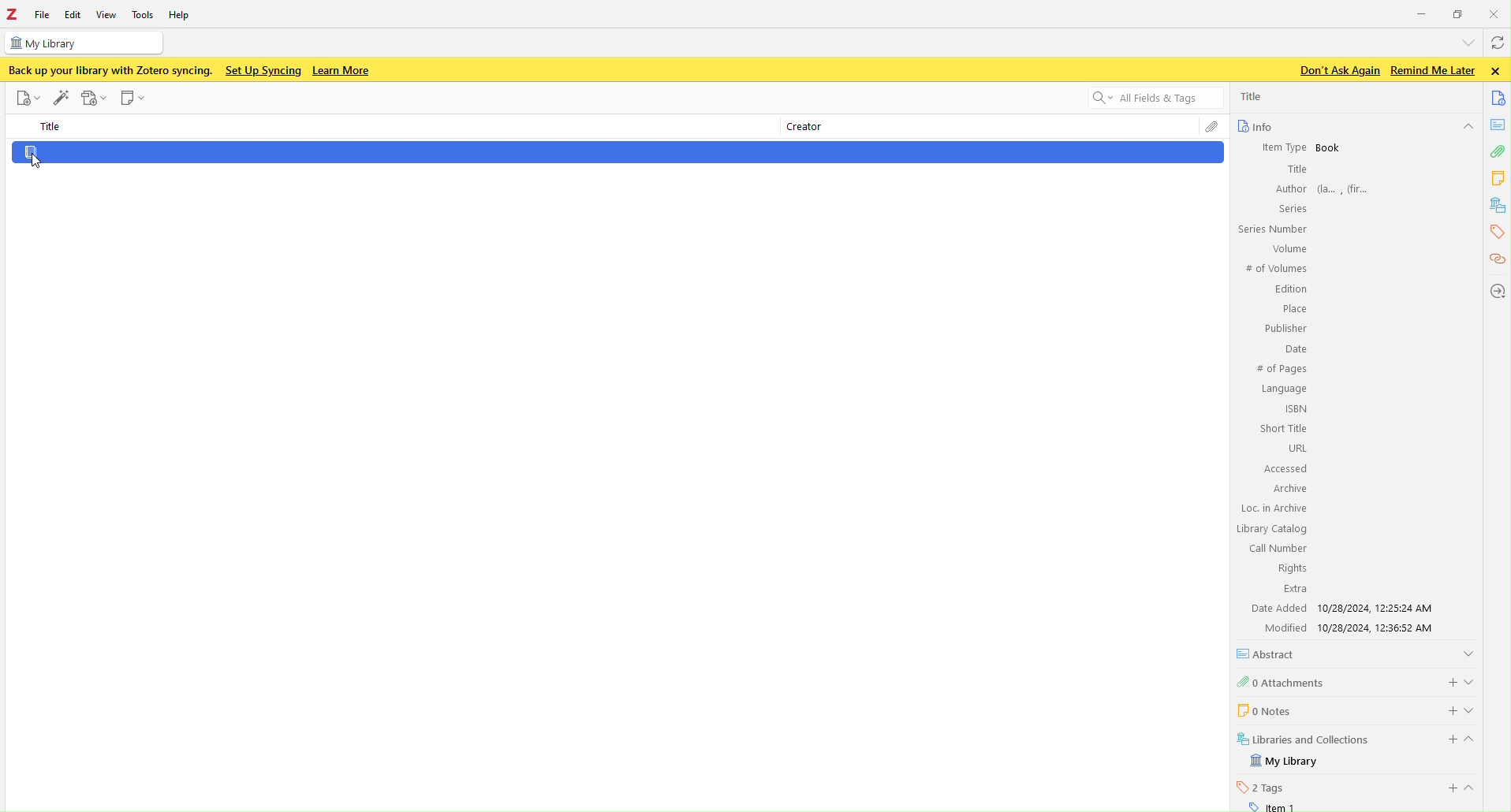 This screenshot has height=812, width=1511. Describe the element at coordinates (96, 97) in the screenshot. I see `add attachment` at that location.